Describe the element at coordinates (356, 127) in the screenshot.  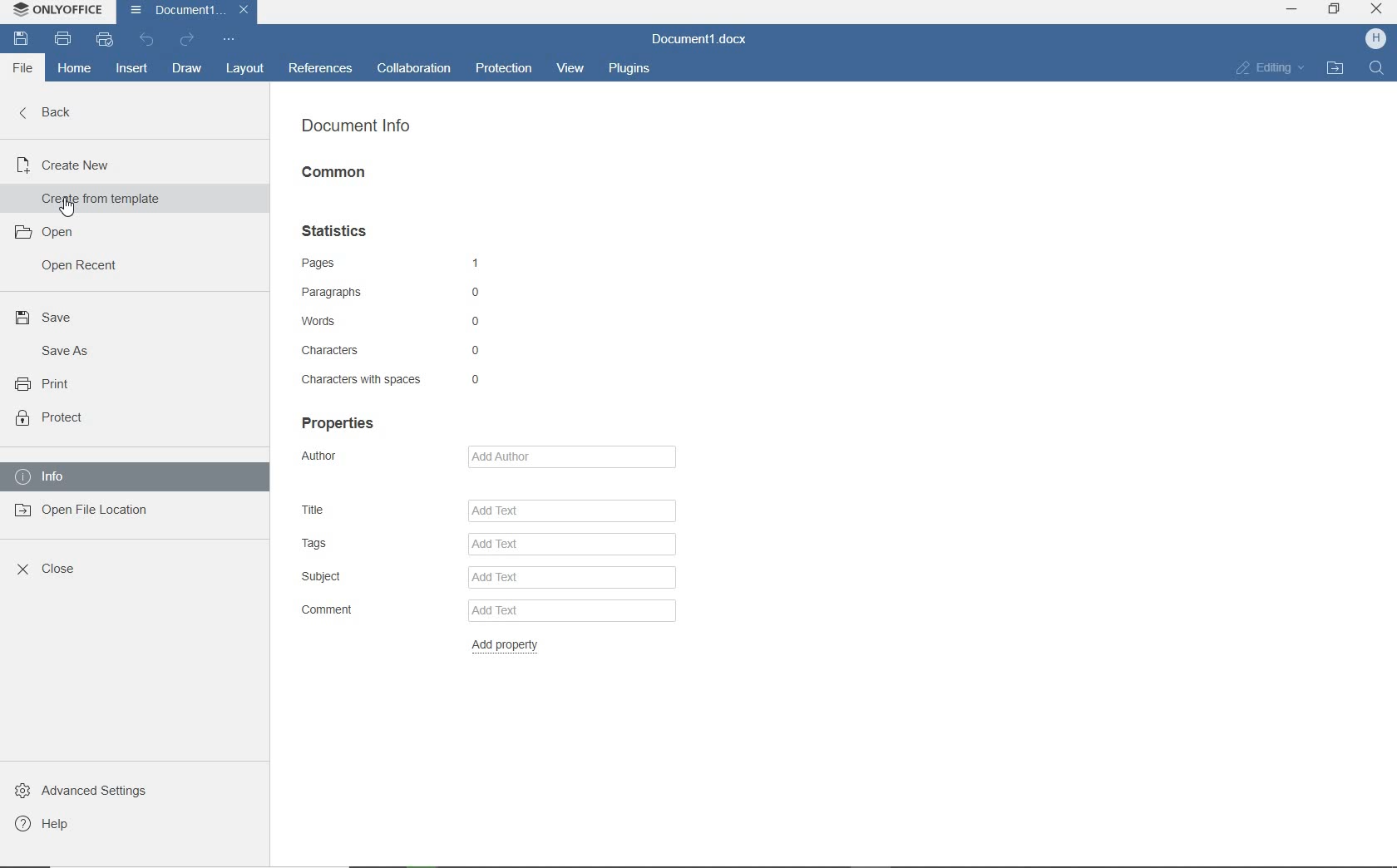
I see `document info` at that location.